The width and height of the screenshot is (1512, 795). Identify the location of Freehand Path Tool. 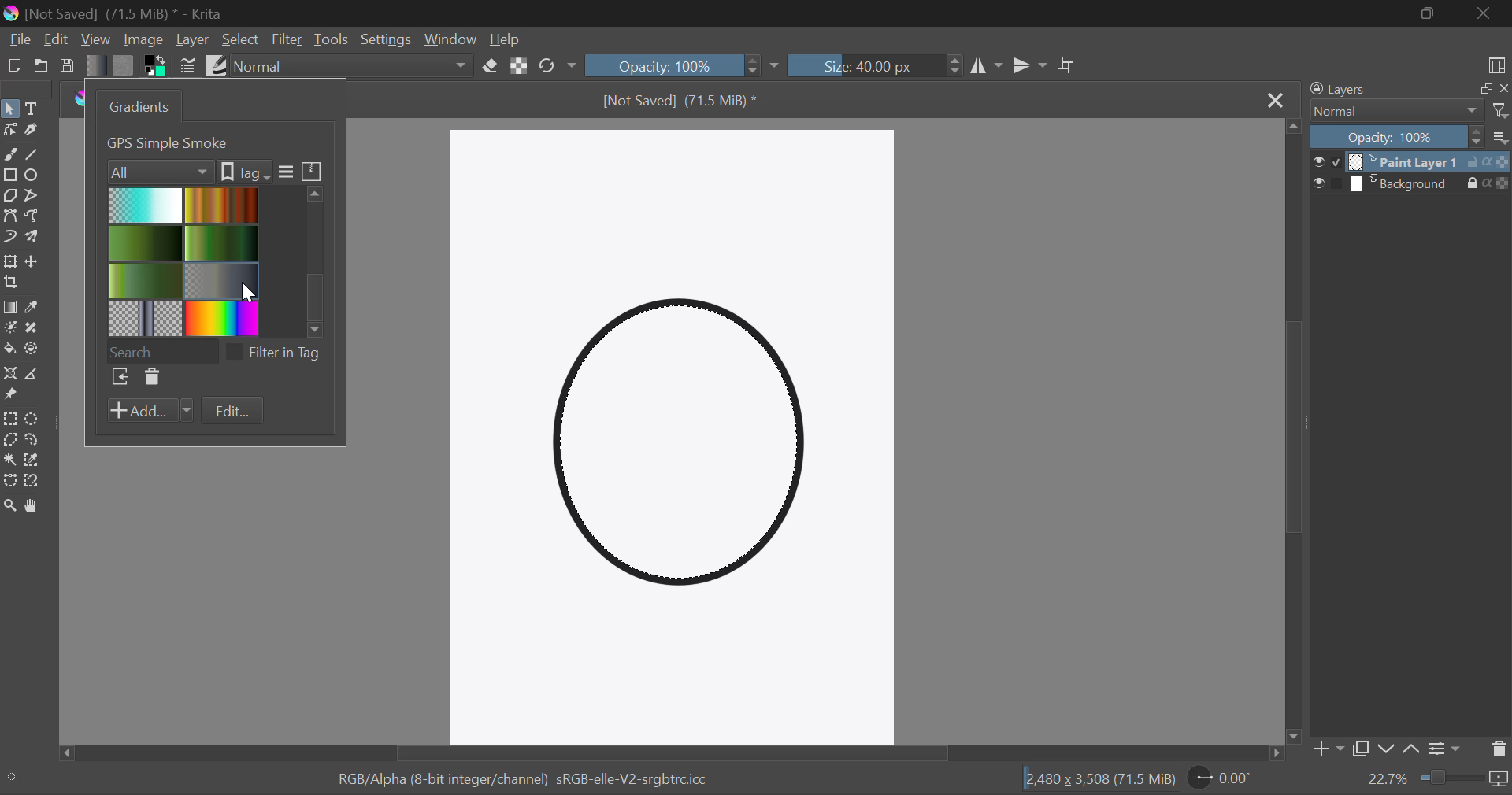
(35, 217).